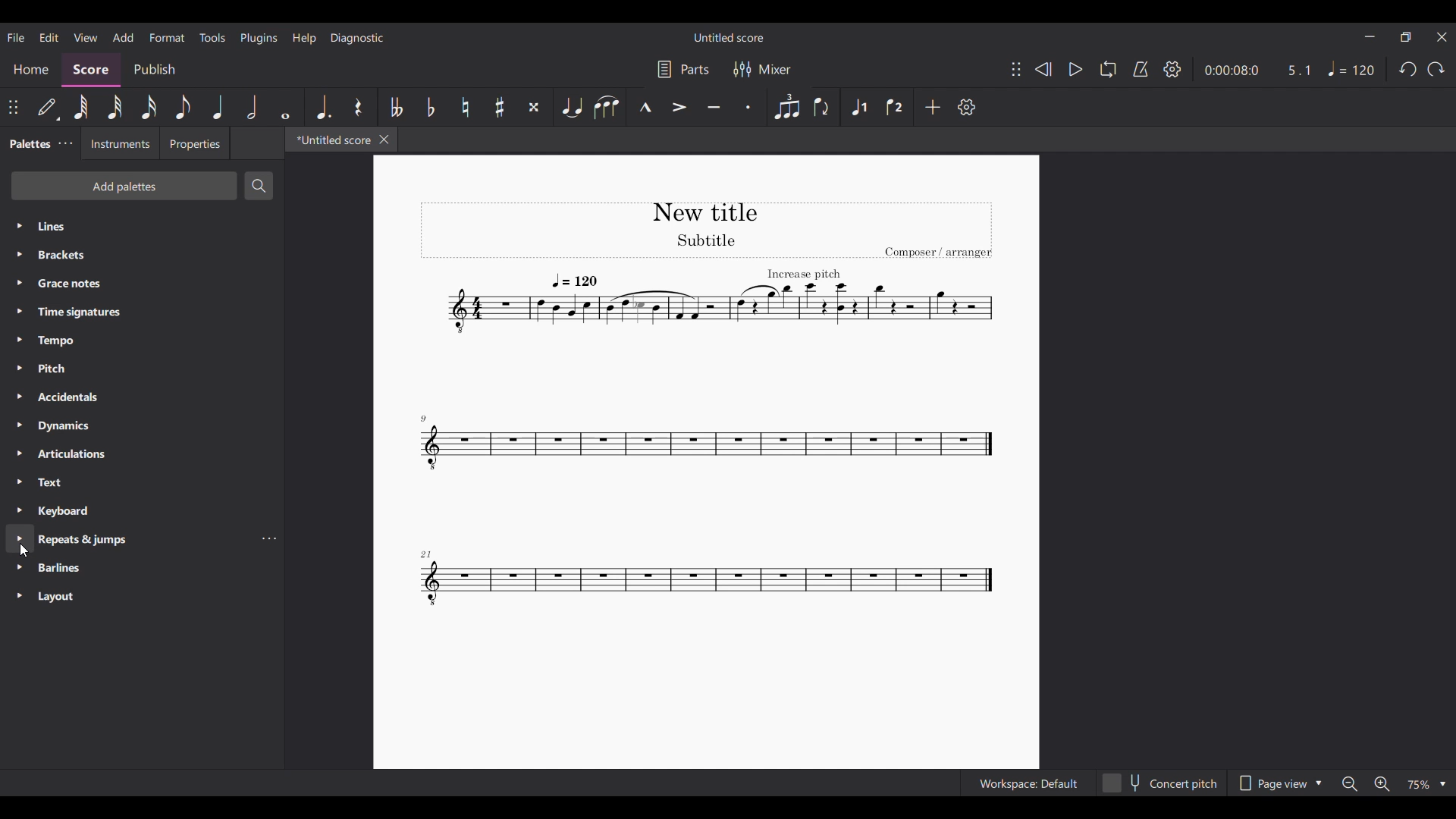 Image resolution: width=1456 pixels, height=819 pixels. I want to click on Tenuto, so click(714, 107).